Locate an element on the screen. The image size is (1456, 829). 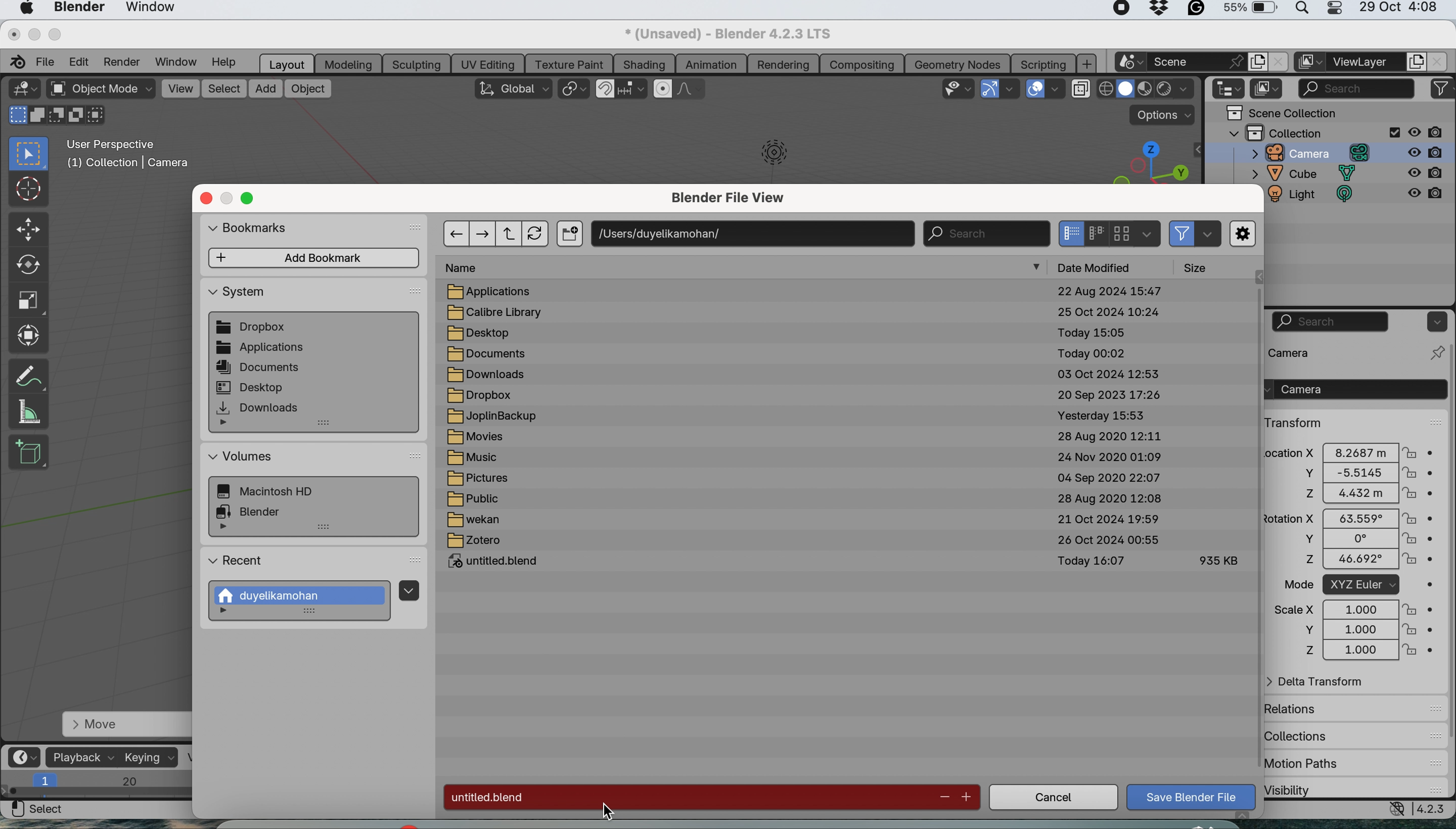
viewport shading is located at coordinates (1147, 89).